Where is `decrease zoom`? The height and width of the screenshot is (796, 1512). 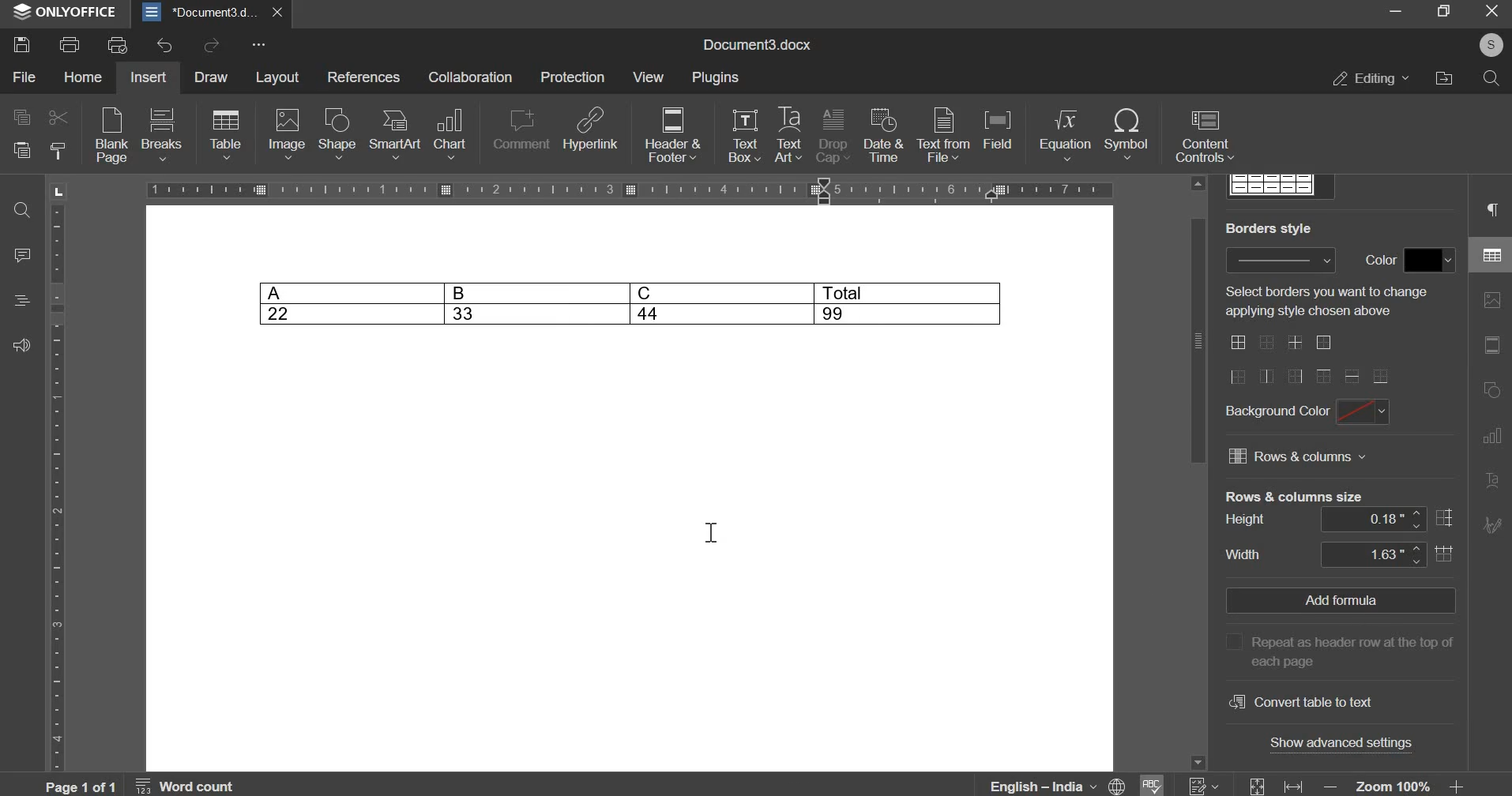
decrease zoom is located at coordinates (1329, 785).